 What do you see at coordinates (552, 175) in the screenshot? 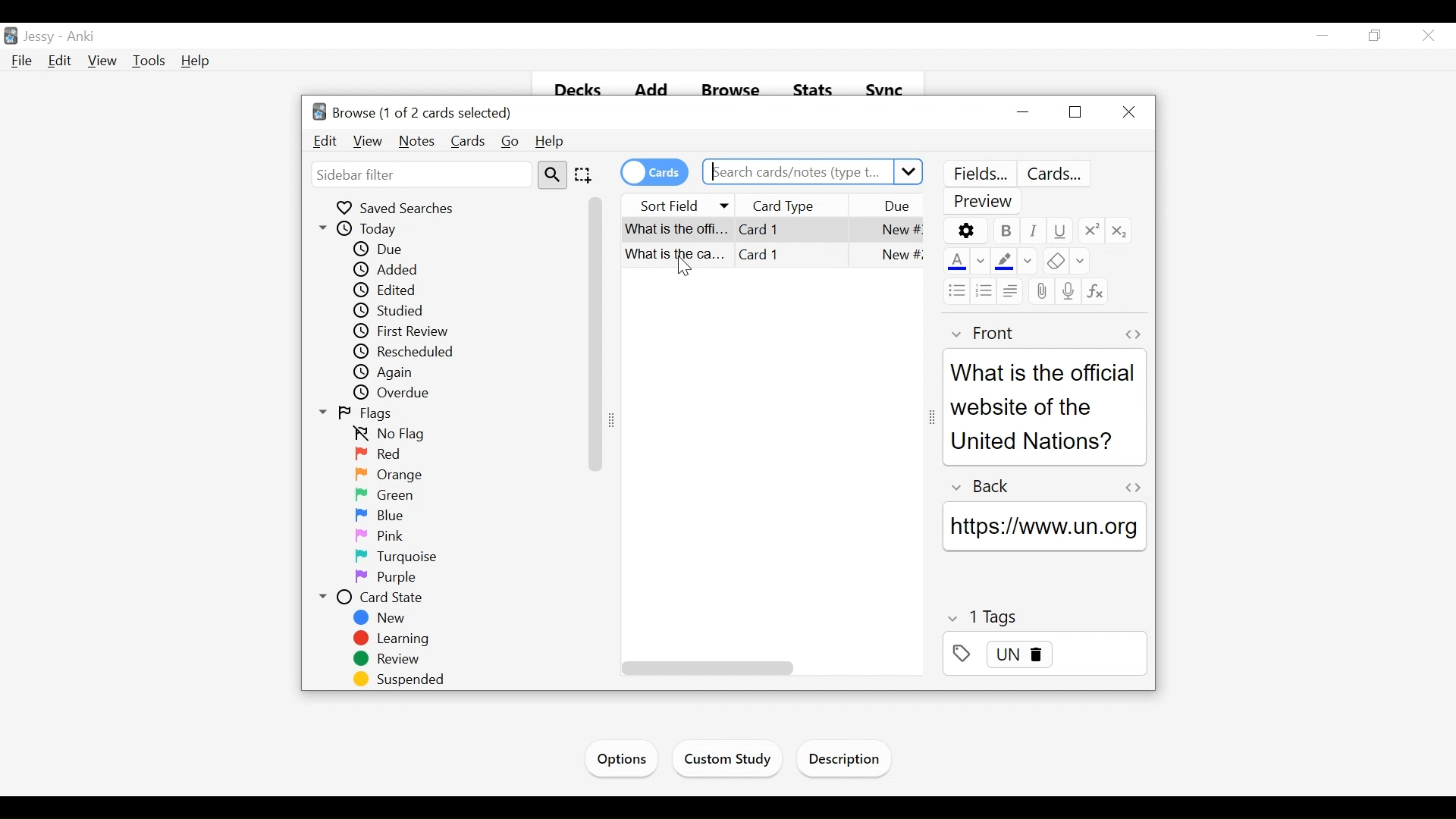
I see `Search Tool` at bounding box center [552, 175].